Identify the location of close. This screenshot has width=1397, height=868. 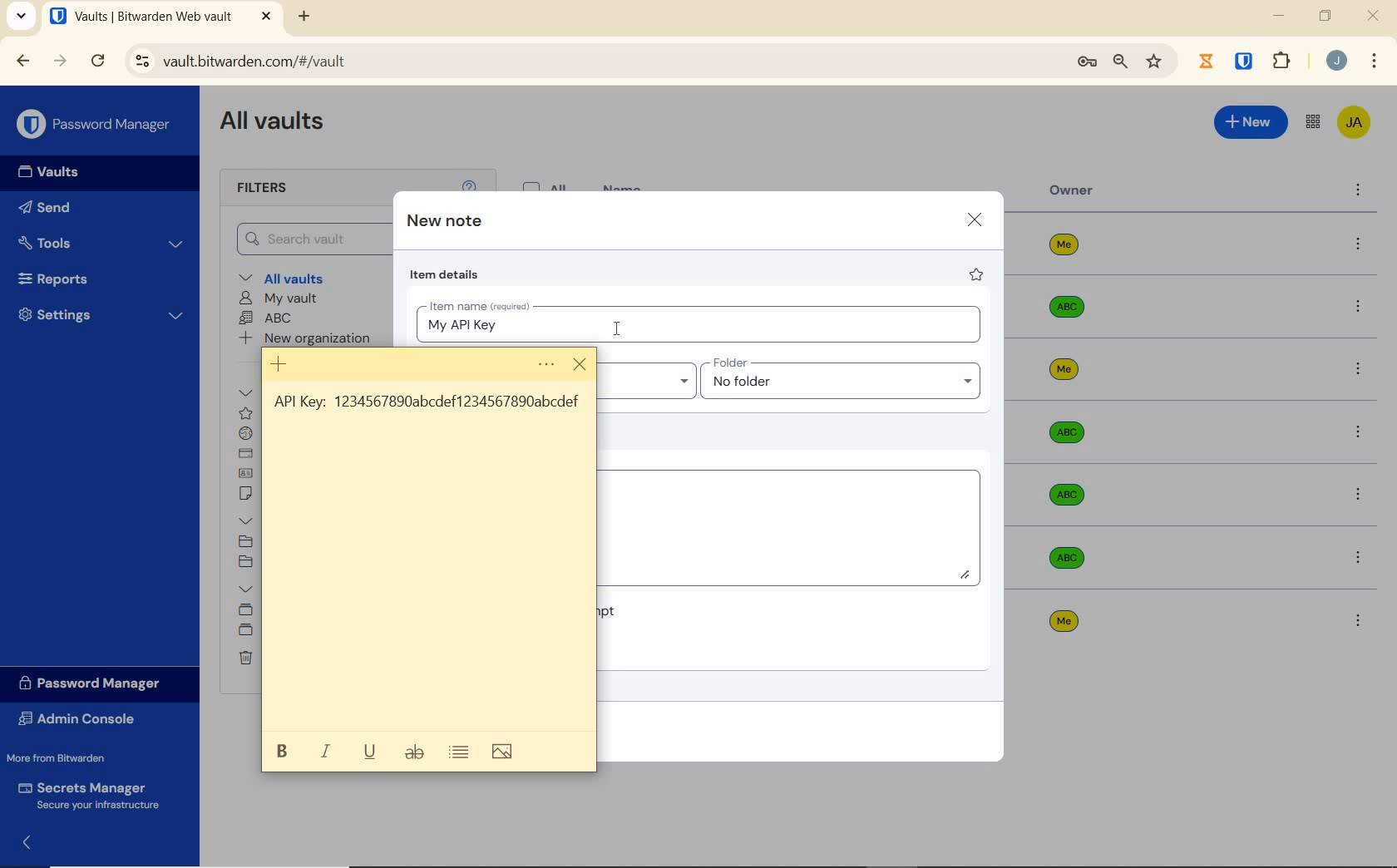
(580, 364).